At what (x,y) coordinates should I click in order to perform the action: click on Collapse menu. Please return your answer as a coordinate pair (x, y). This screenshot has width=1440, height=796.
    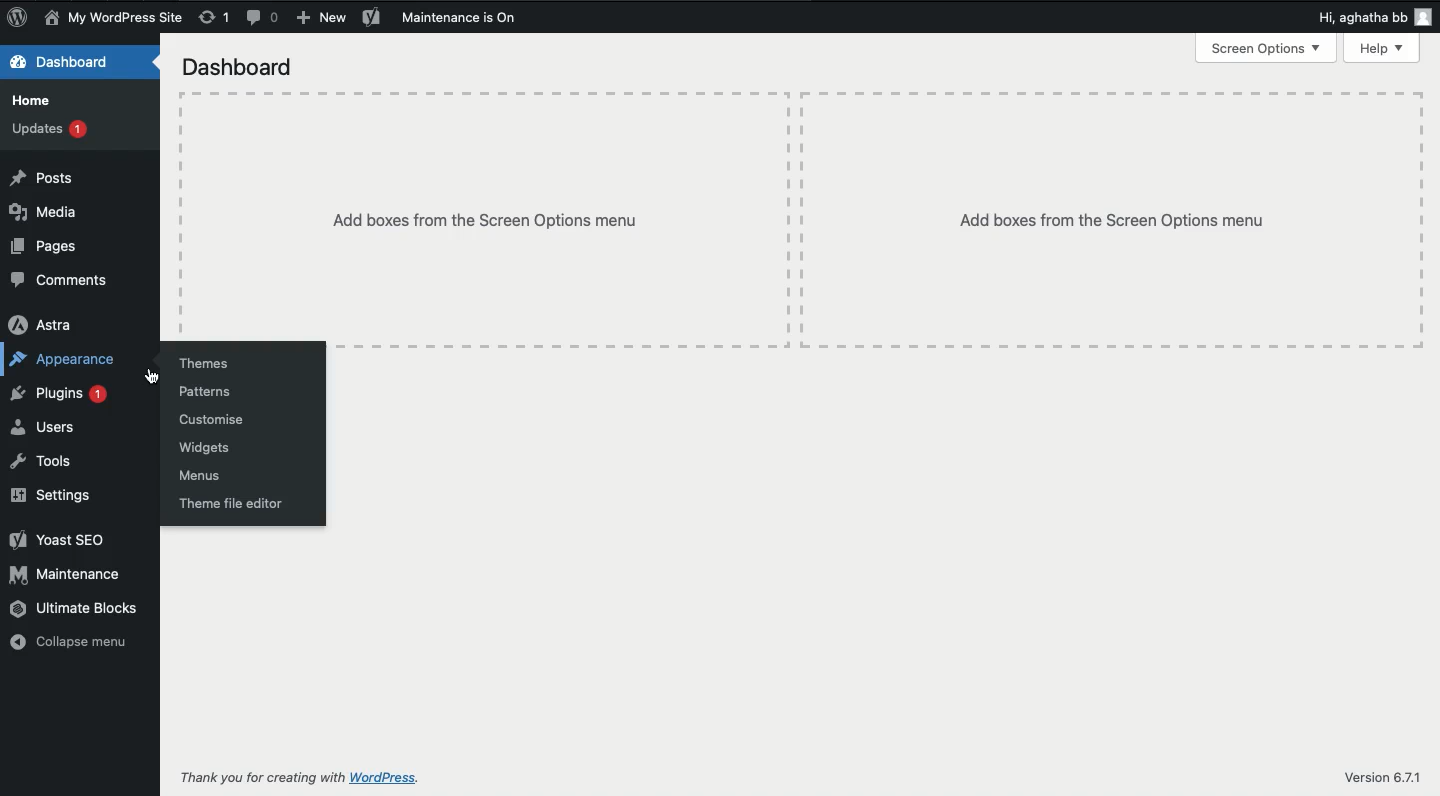
    Looking at the image, I should click on (71, 644).